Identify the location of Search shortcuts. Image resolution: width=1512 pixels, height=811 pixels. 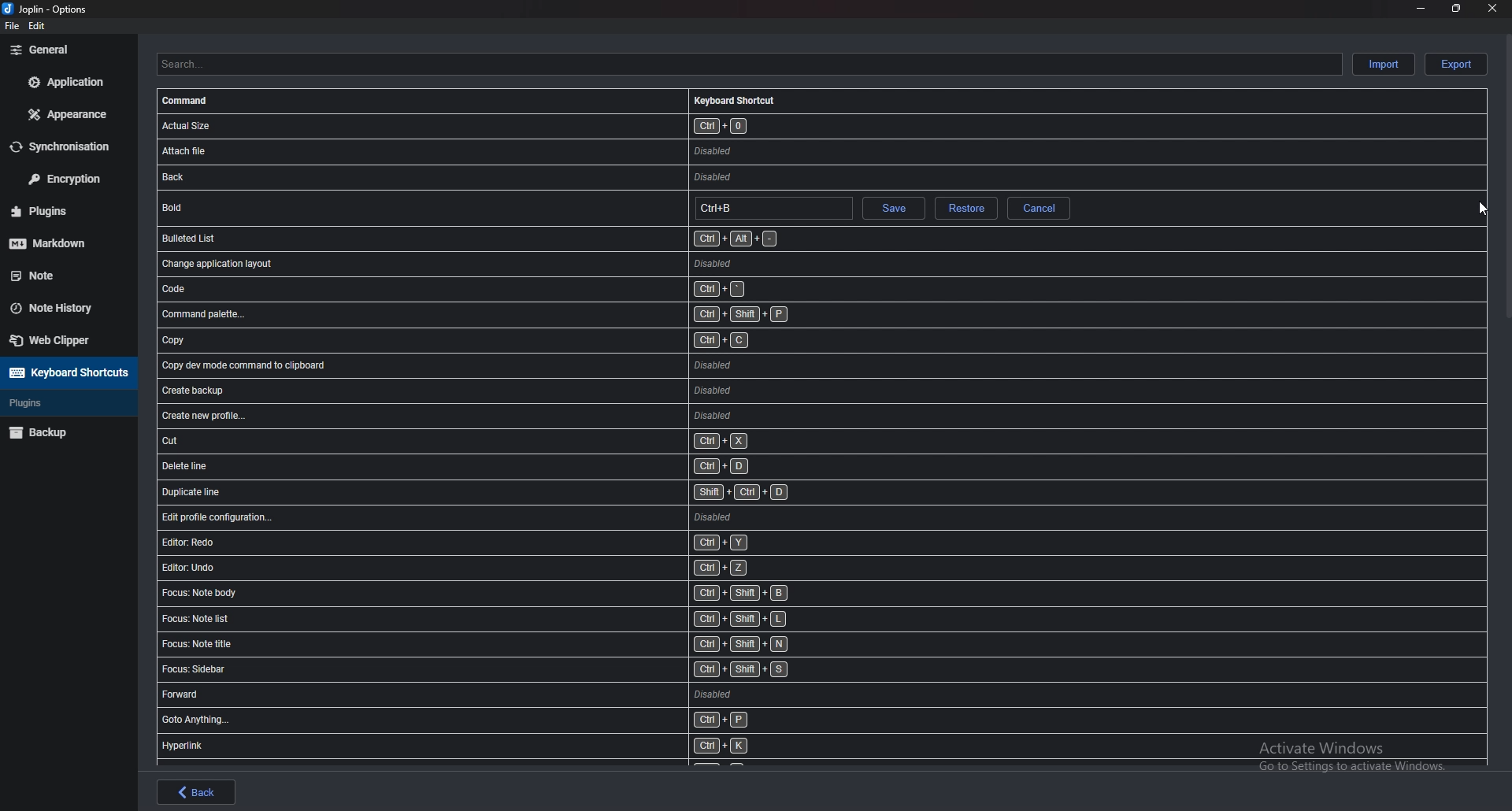
(752, 65).